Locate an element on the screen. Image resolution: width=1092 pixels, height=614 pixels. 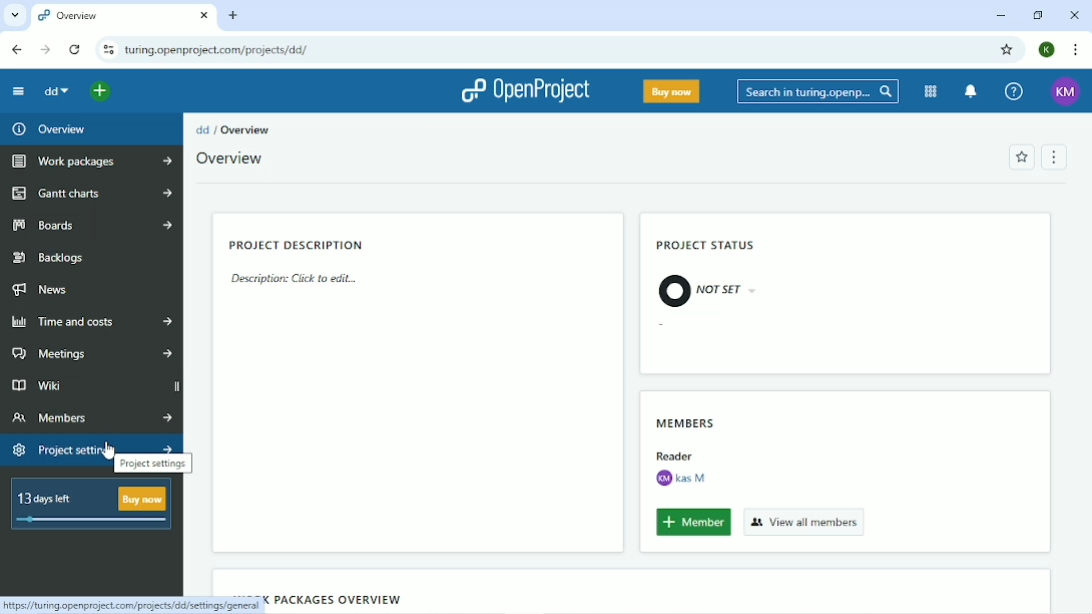
Back is located at coordinates (19, 50).